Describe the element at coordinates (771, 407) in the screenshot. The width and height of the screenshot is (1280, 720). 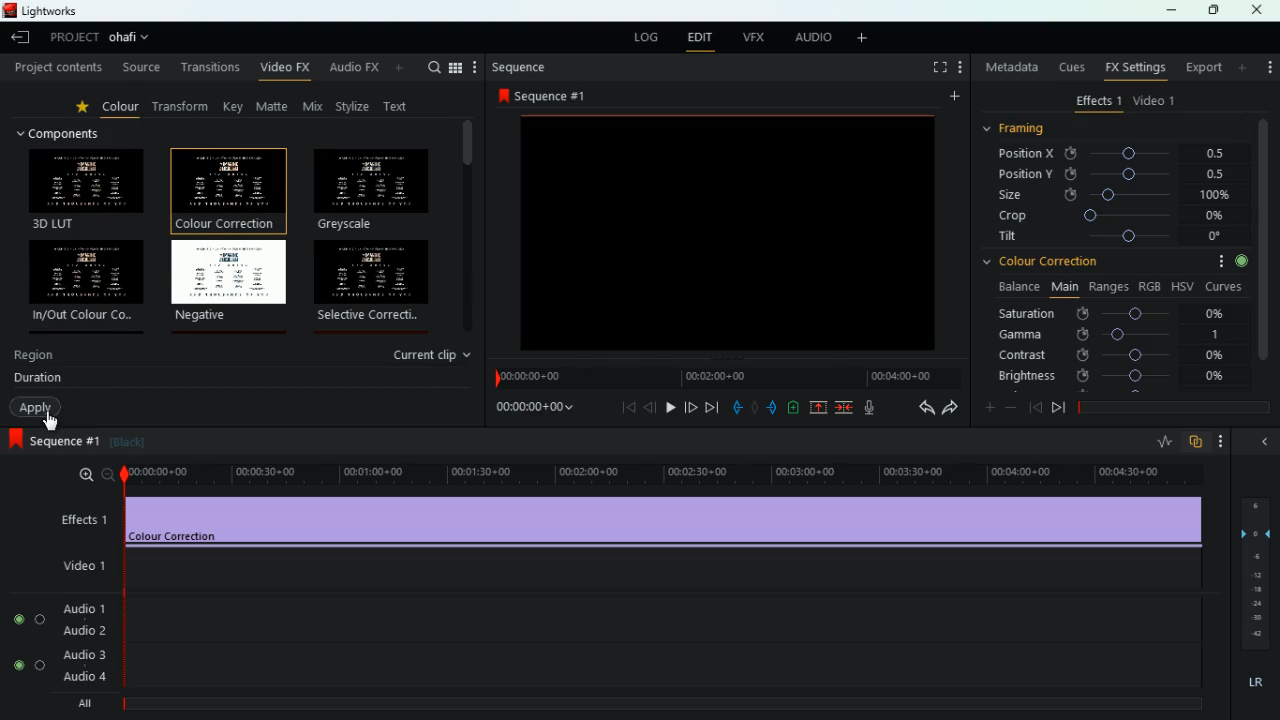
I see `front` at that location.